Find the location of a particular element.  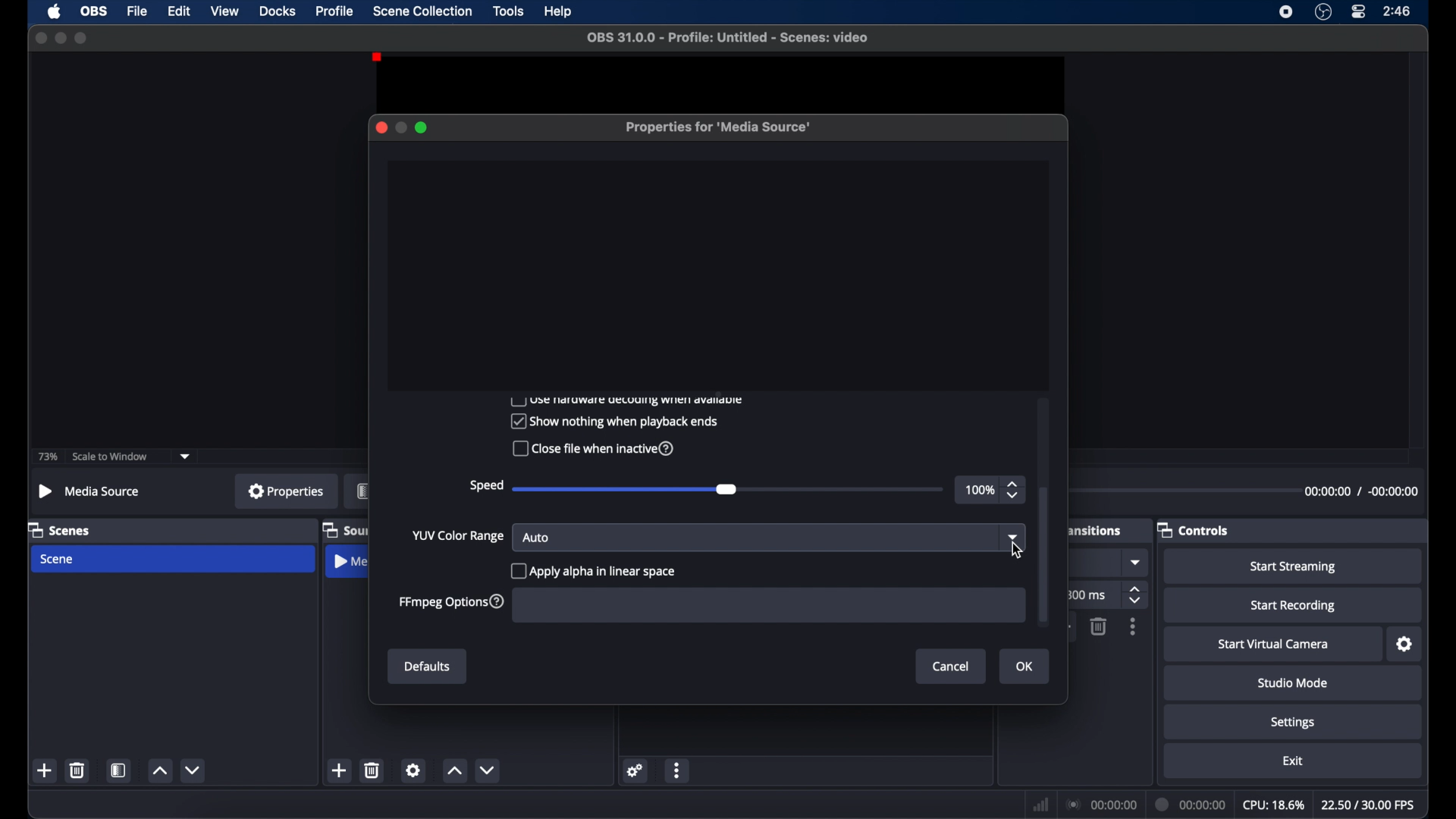

properties for media source is located at coordinates (720, 128).